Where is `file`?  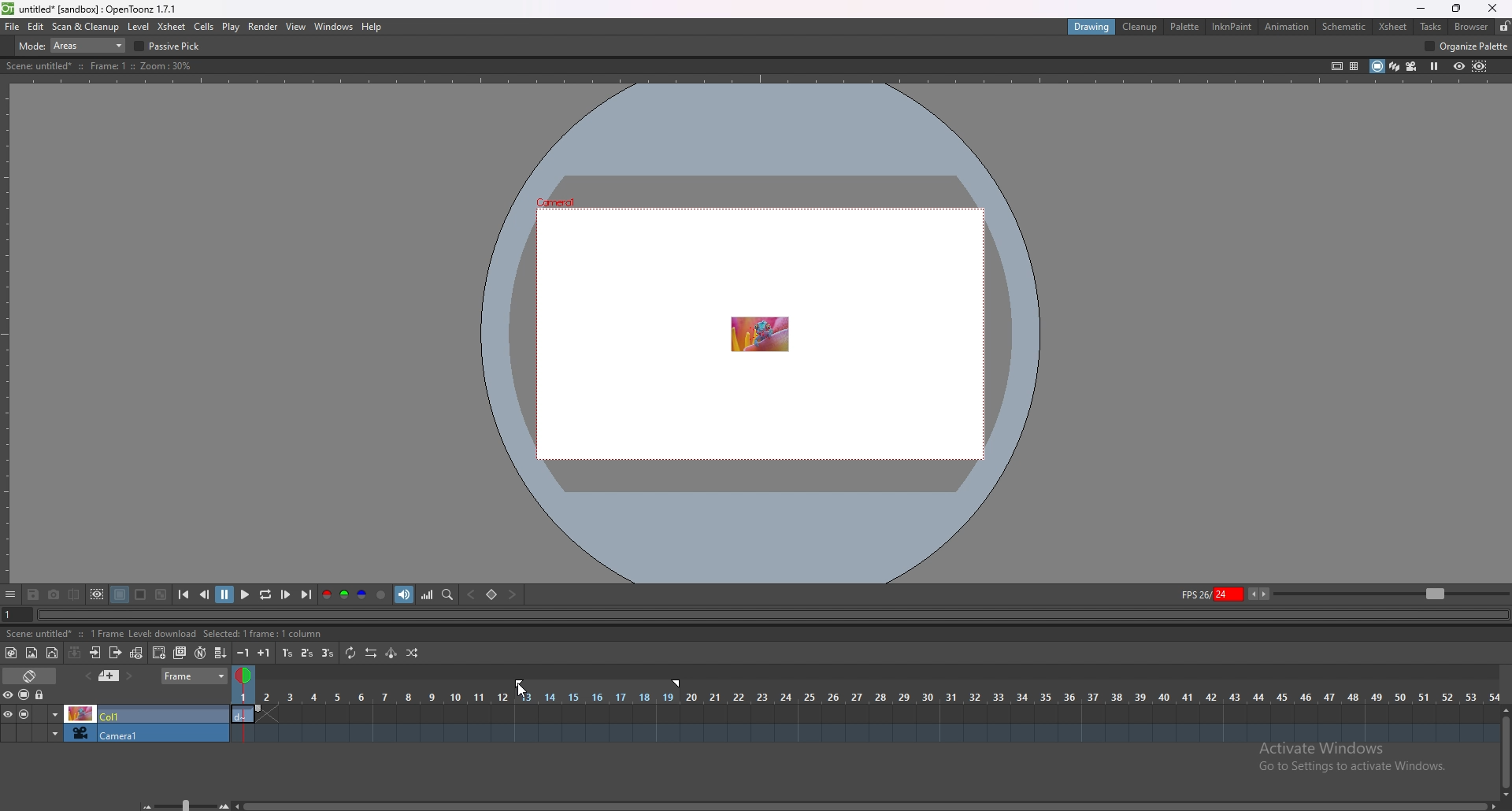
file is located at coordinates (13, 27).